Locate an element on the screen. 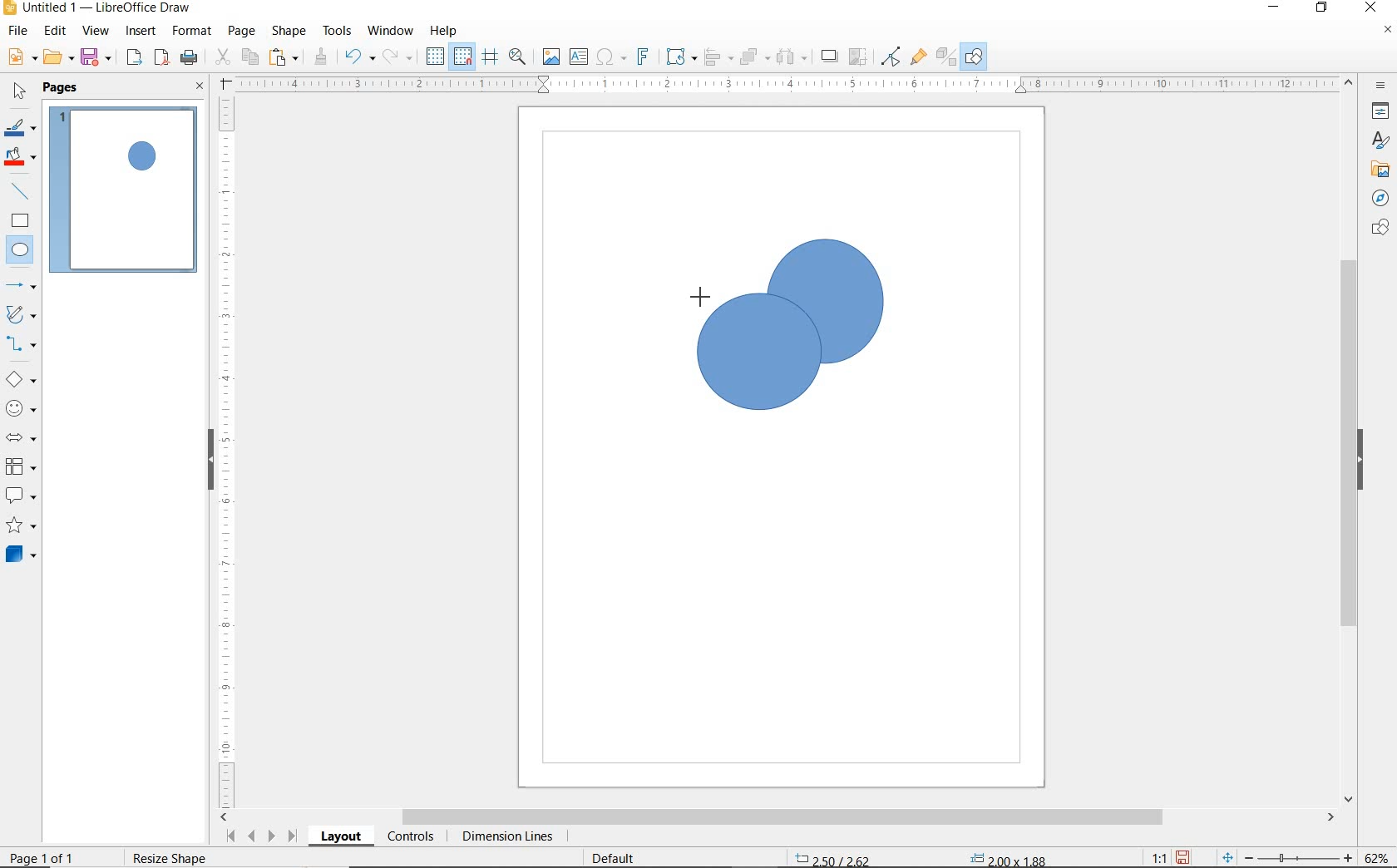  STARS AND BANNERS is located at coordinates (21, 527).